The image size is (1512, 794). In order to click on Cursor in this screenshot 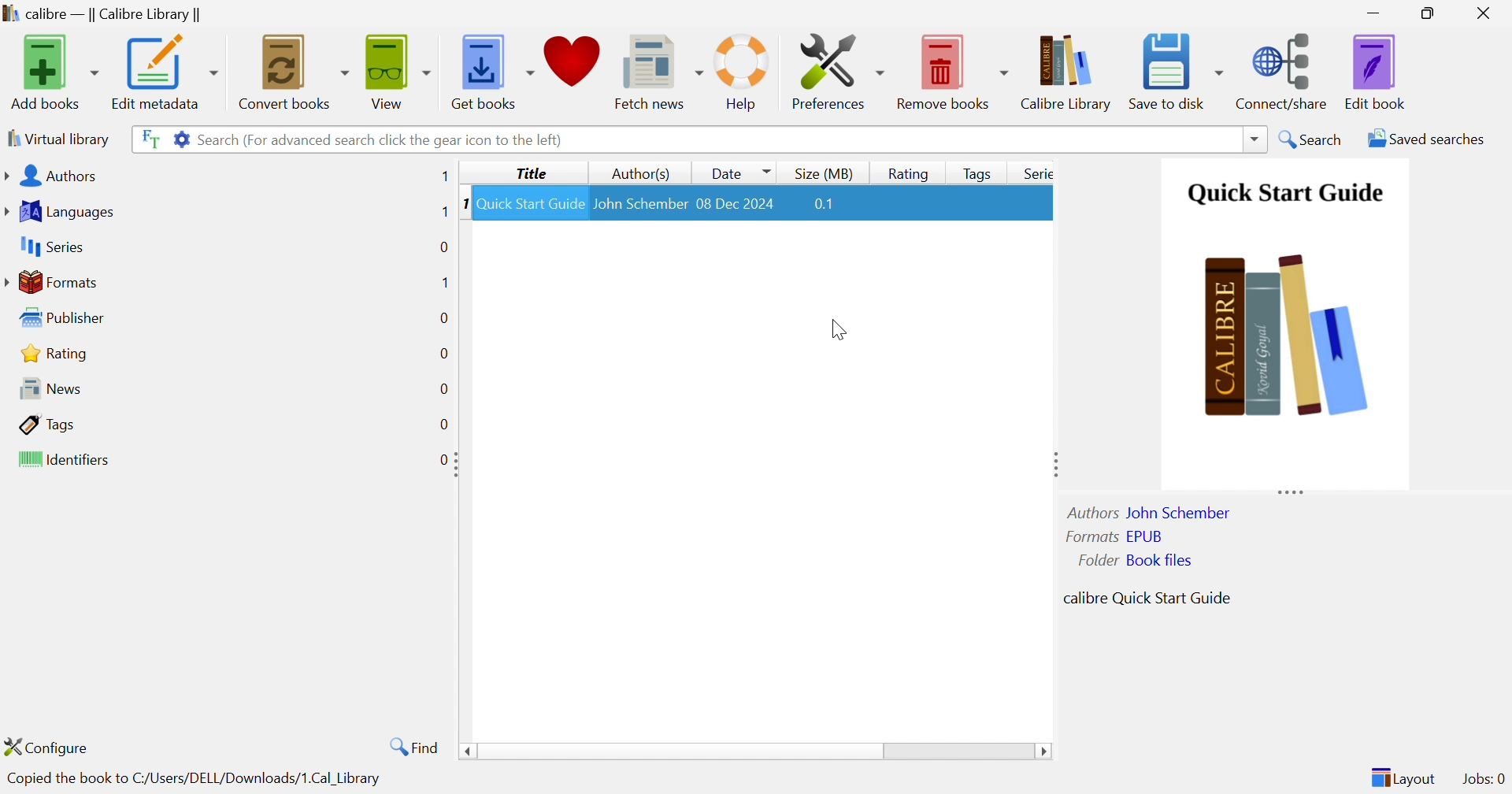, I will do `click(839, 328)`.